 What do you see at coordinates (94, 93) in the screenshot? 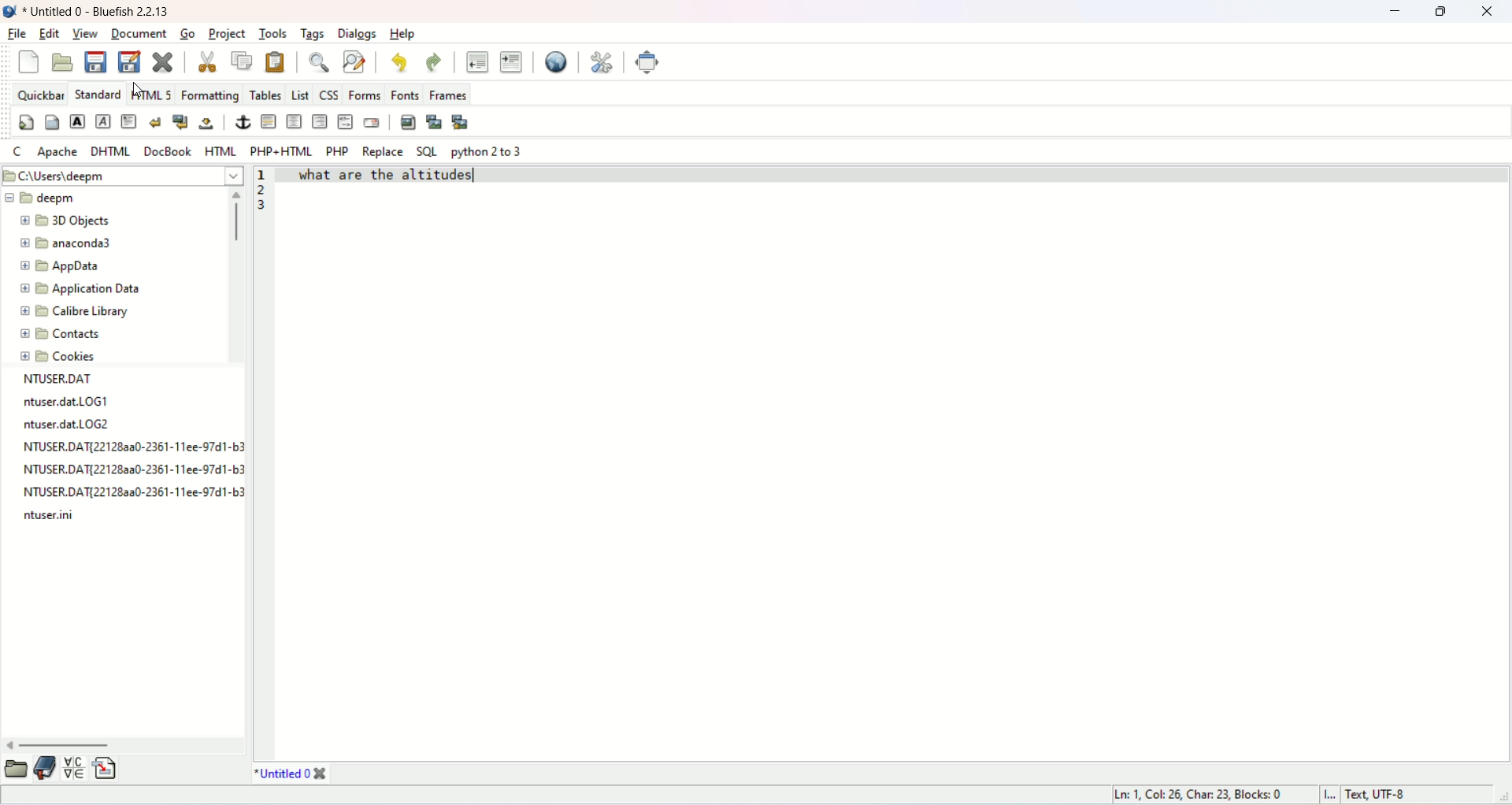
I see `standard` at bounding box center [94, 93].